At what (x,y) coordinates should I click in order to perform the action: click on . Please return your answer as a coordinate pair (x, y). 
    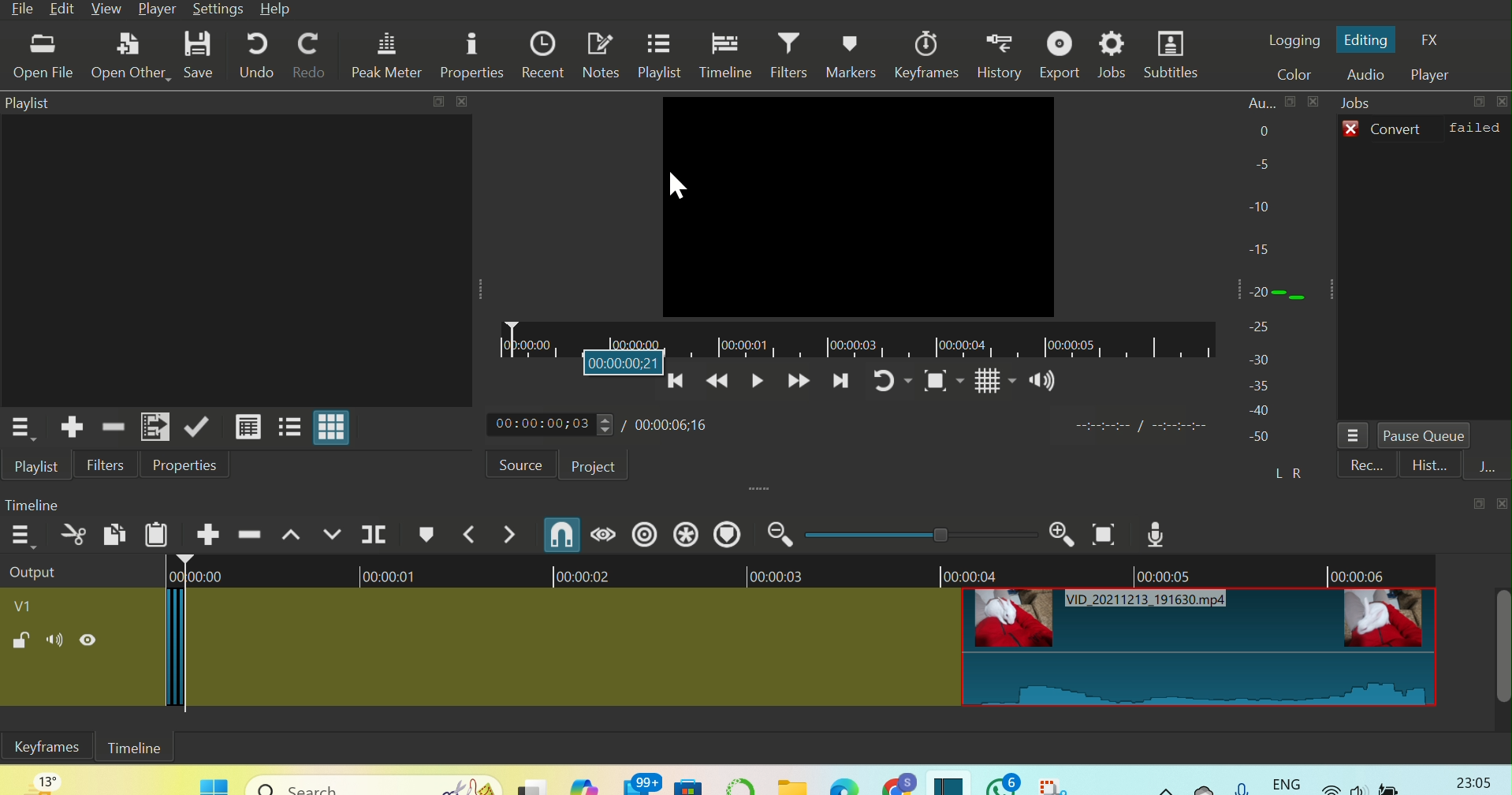
    Looking at the image, I should click on (646, 535).